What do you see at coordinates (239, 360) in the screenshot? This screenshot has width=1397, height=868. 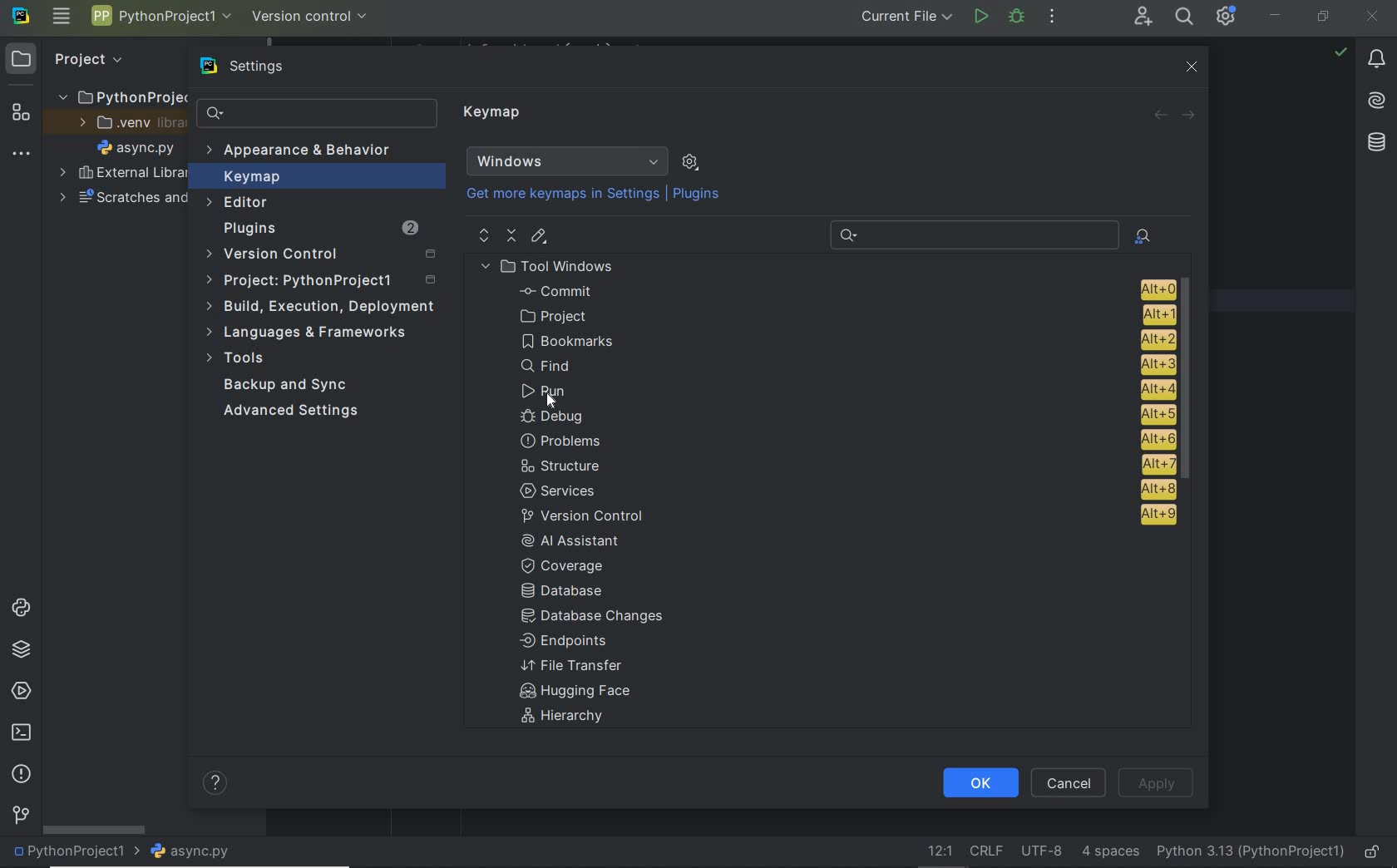 I see `Tools` at bounding box center [239, 360].